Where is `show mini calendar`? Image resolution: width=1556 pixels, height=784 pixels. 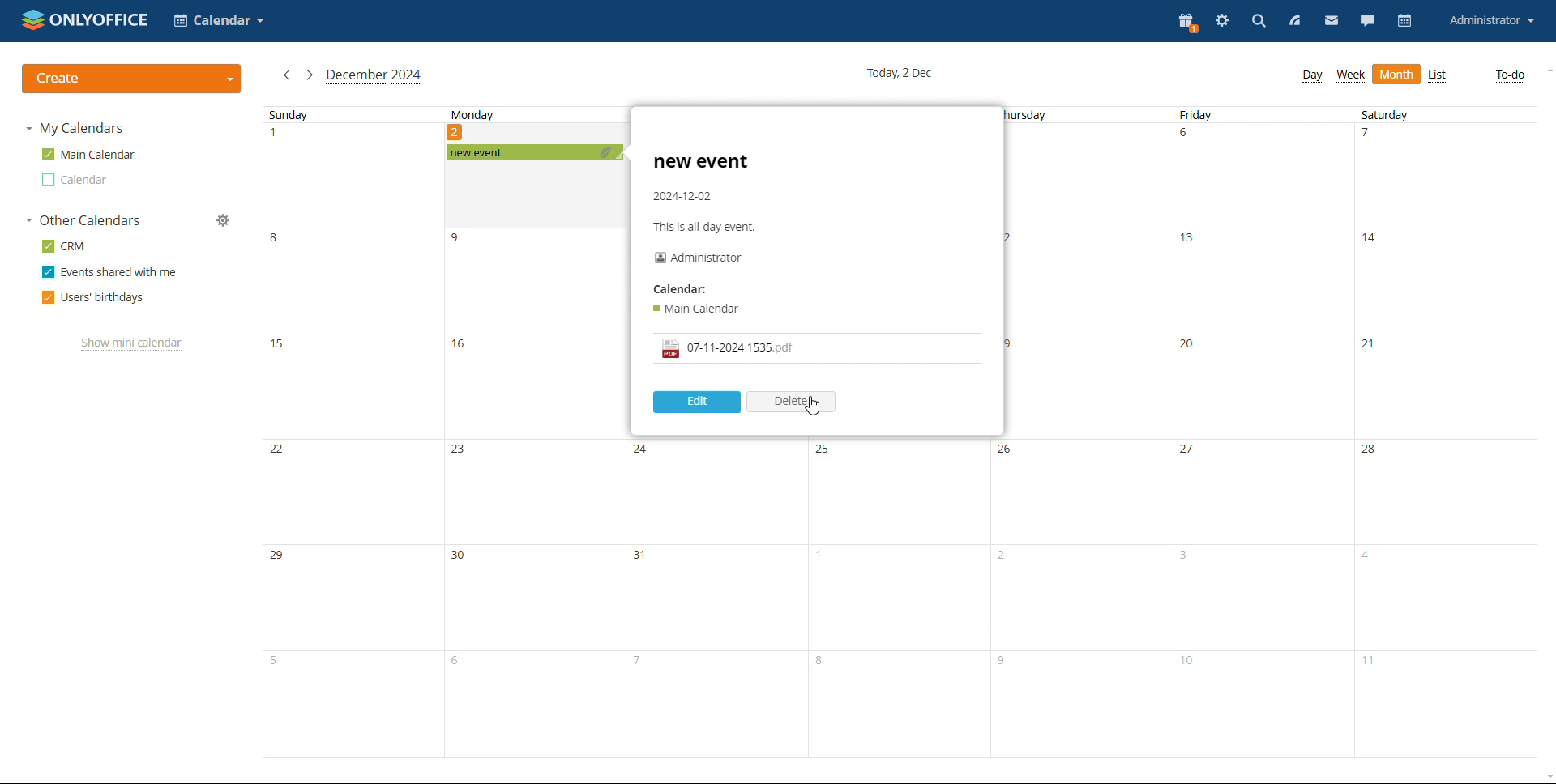 show mini calendar is located at coordinates (133, 343).